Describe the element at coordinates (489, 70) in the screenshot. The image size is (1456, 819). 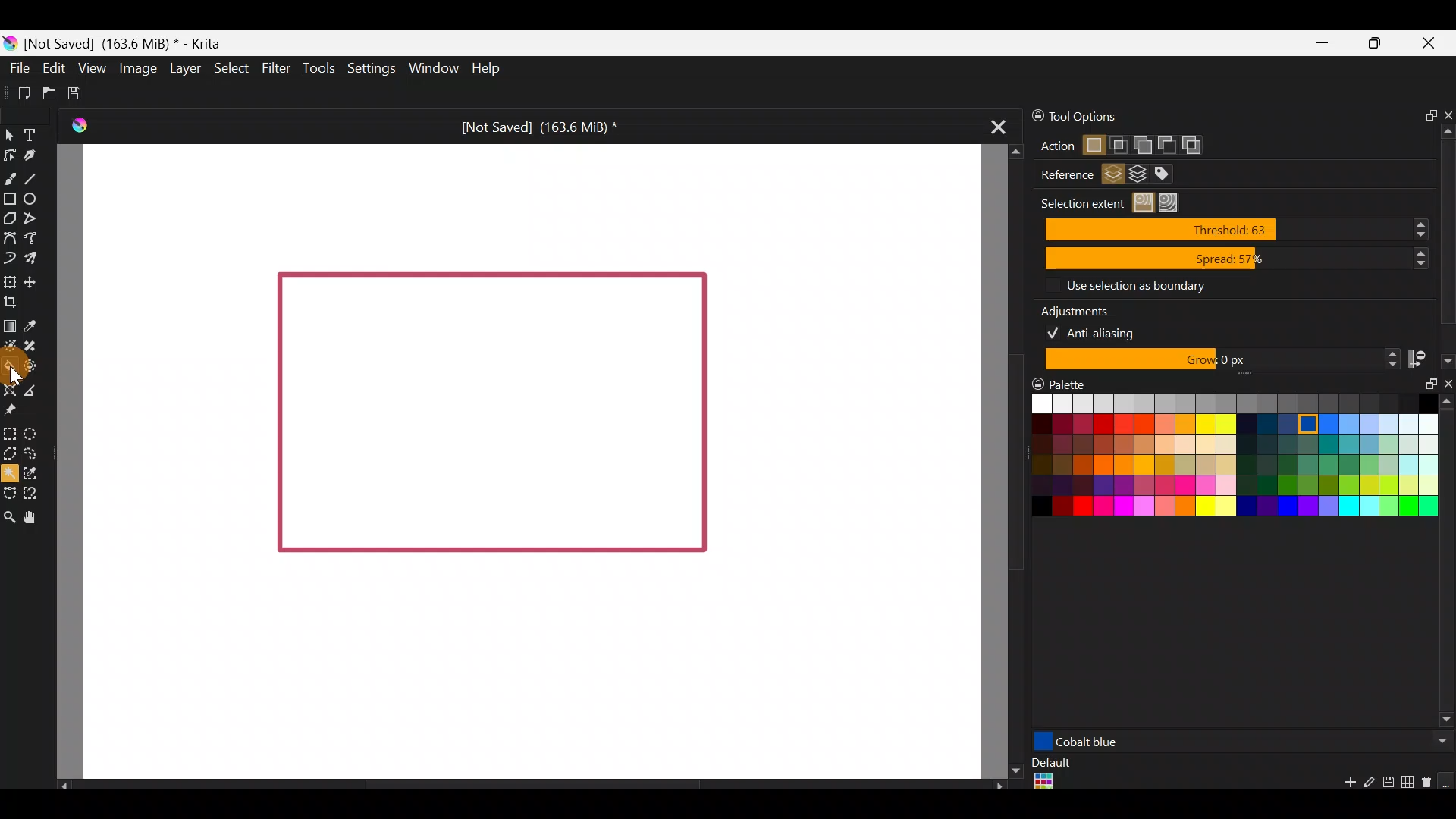
I see `Help` at that location.